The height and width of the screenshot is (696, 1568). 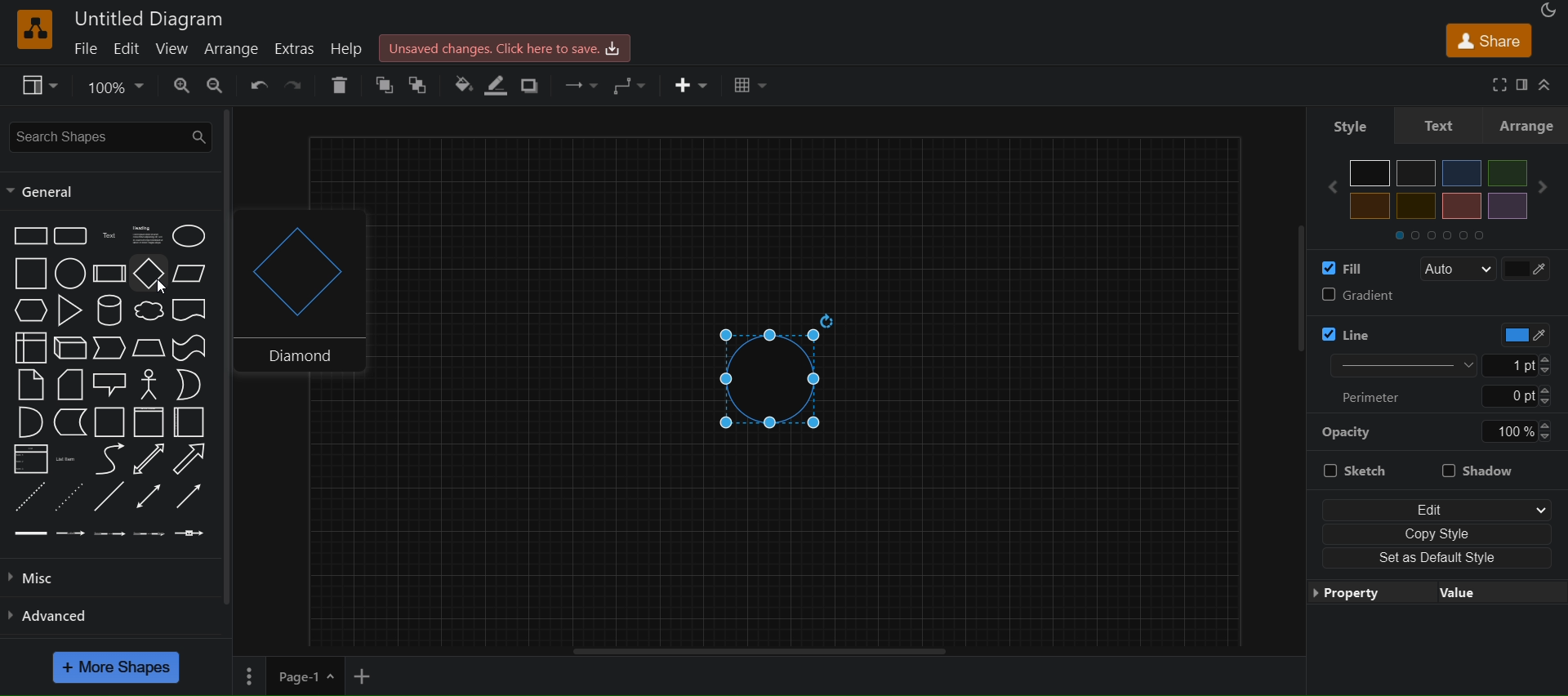 What do you see at coordinates (149, 312) in the screenshot?
I see `cloud` at bounding box center [149, 312].